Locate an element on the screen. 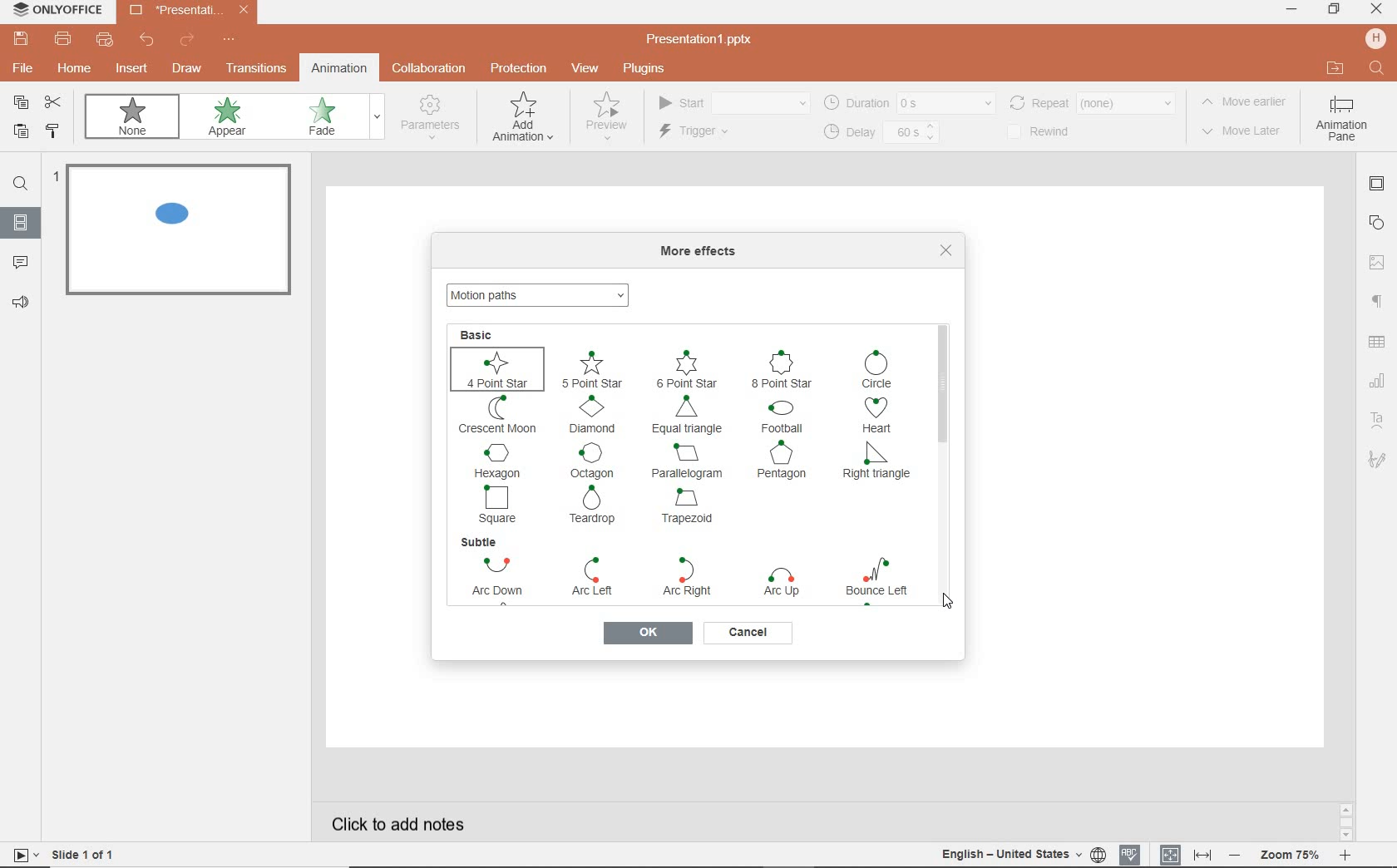  image settings is located at coordinates (1379, 260).